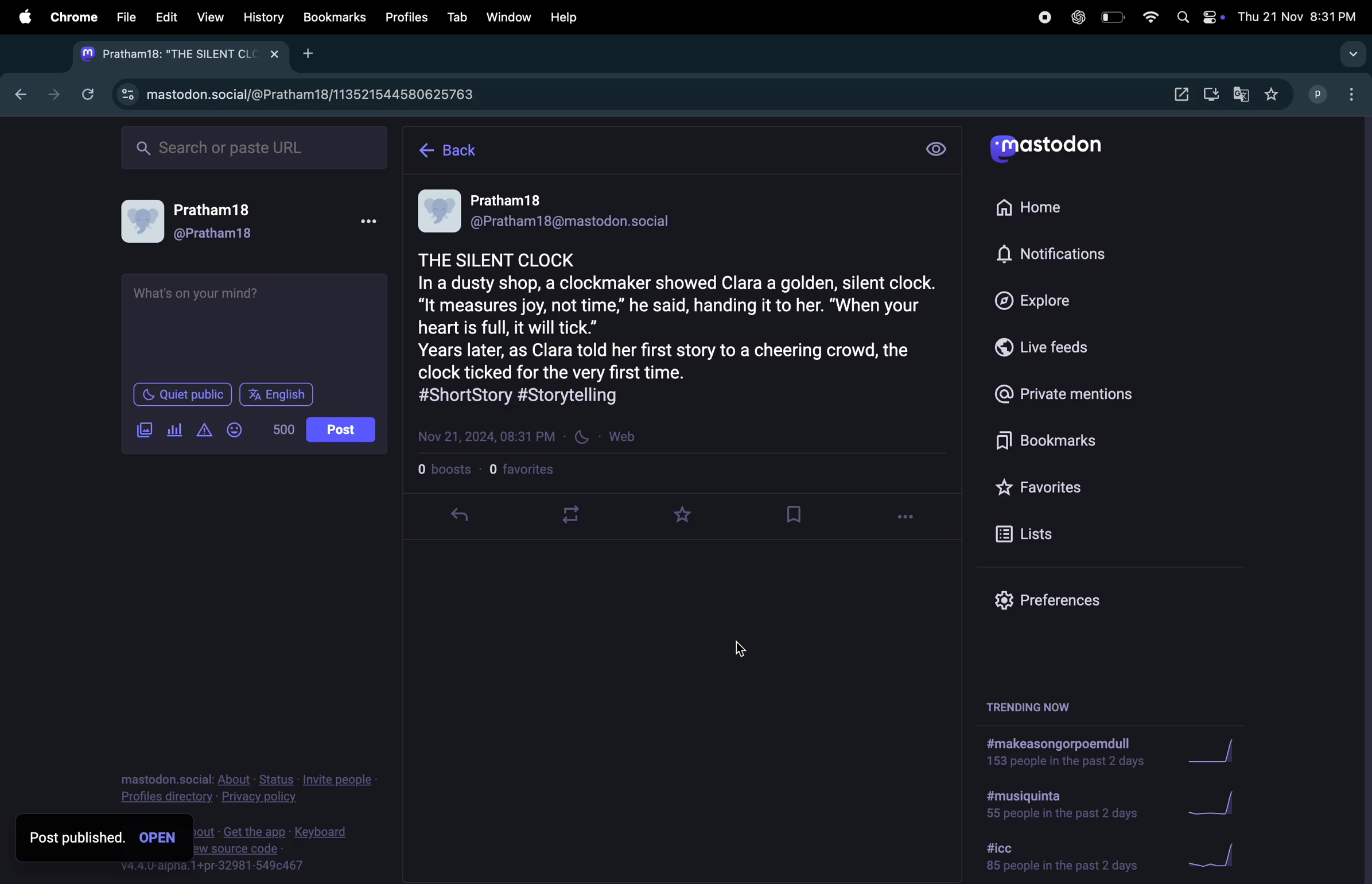 This screenshot has height=884, width=1372. What do you see at coordinates (1210, 858) in the screenshot?
I see `graph` at bounding box center [1210, 858].